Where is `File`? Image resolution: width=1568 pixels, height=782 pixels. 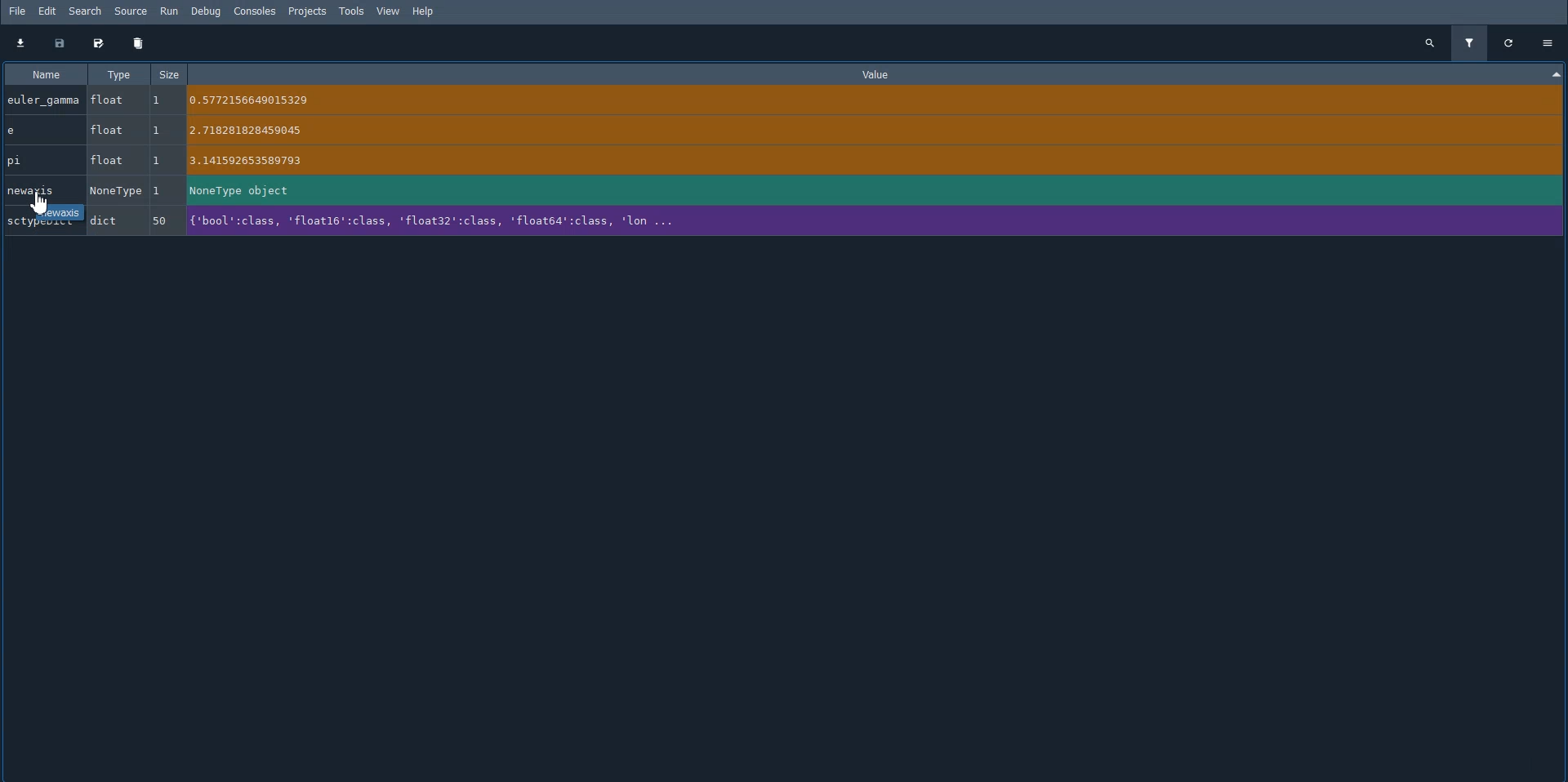
File is located at coordinates (15, 11).